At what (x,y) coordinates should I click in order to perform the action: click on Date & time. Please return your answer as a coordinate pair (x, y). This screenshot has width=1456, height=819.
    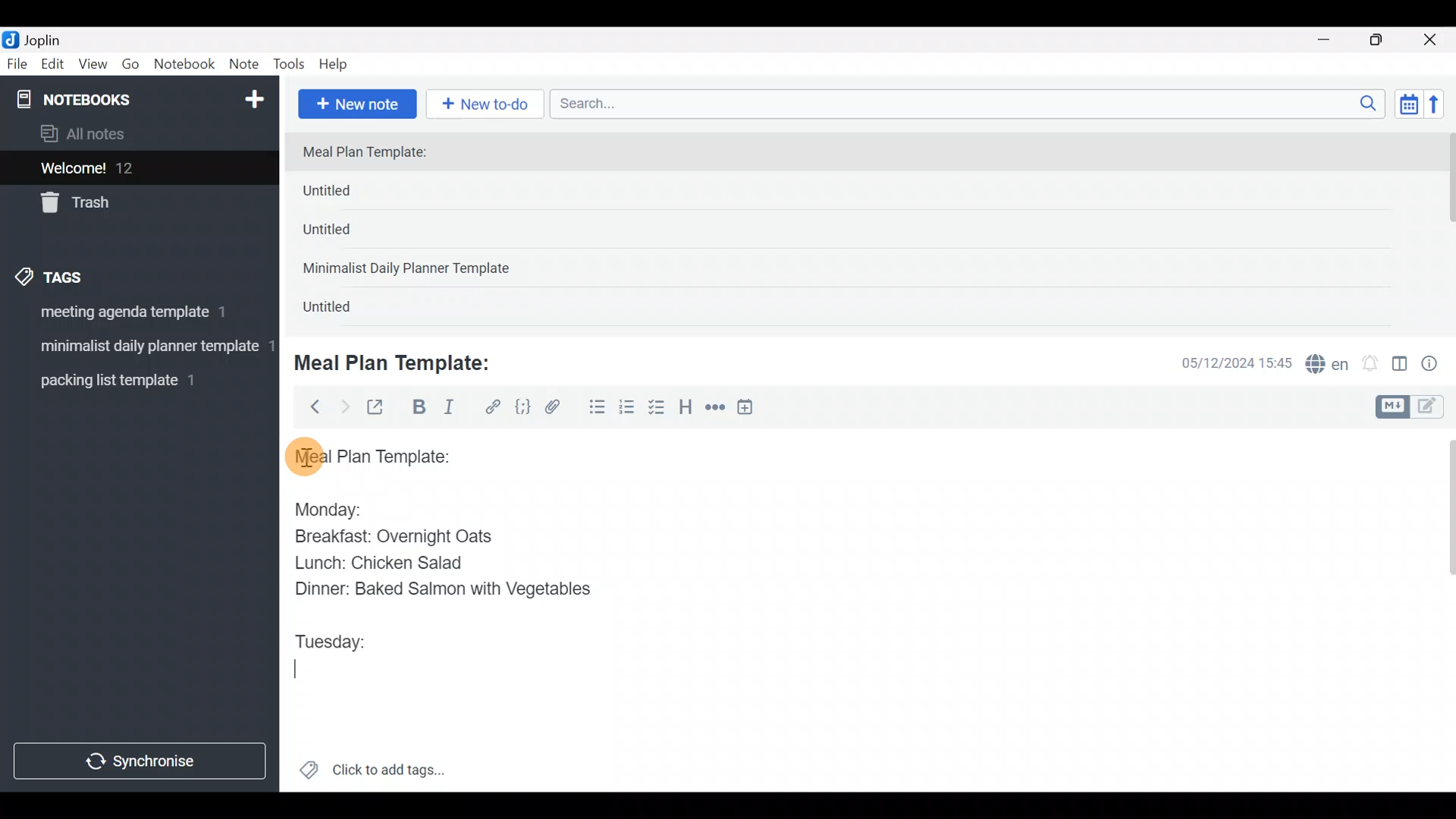
    Looking at the image, I should click on (1225, 362).